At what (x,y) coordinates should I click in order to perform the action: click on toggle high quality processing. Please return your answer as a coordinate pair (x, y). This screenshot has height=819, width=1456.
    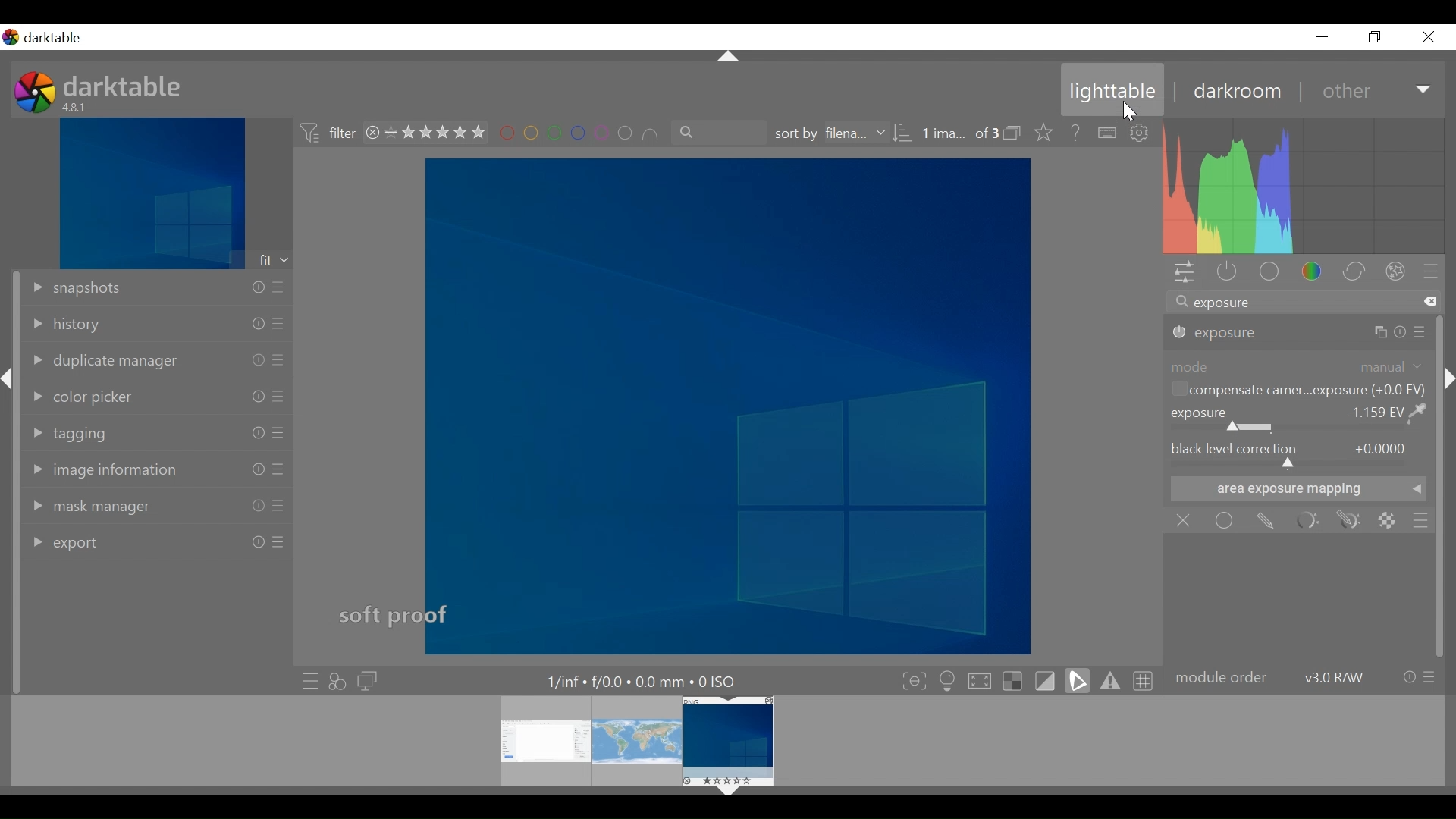
    Looking at the image, I should click on (980, 679).